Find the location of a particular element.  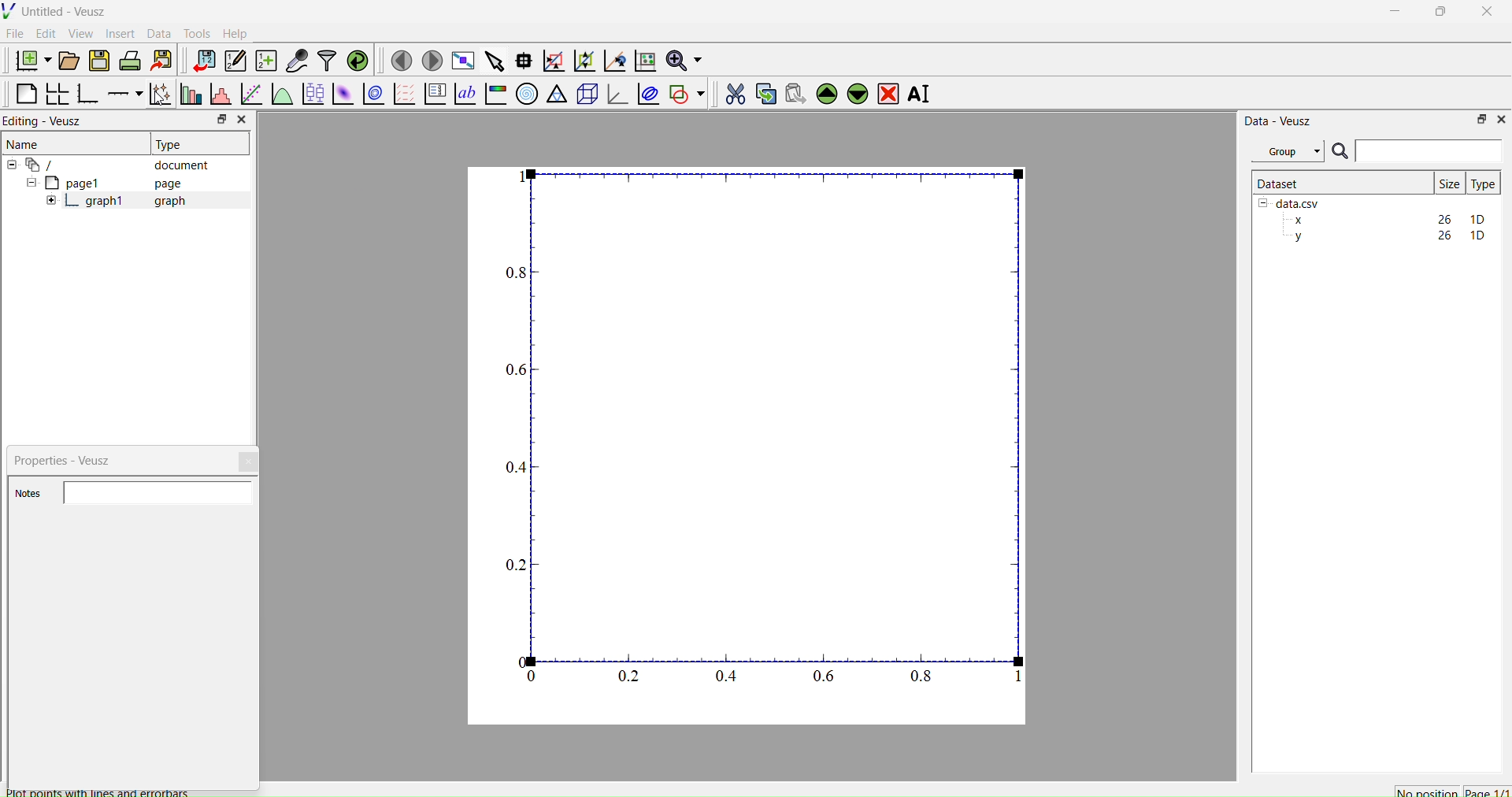

3d Graph is located at coordinates (614, 93).